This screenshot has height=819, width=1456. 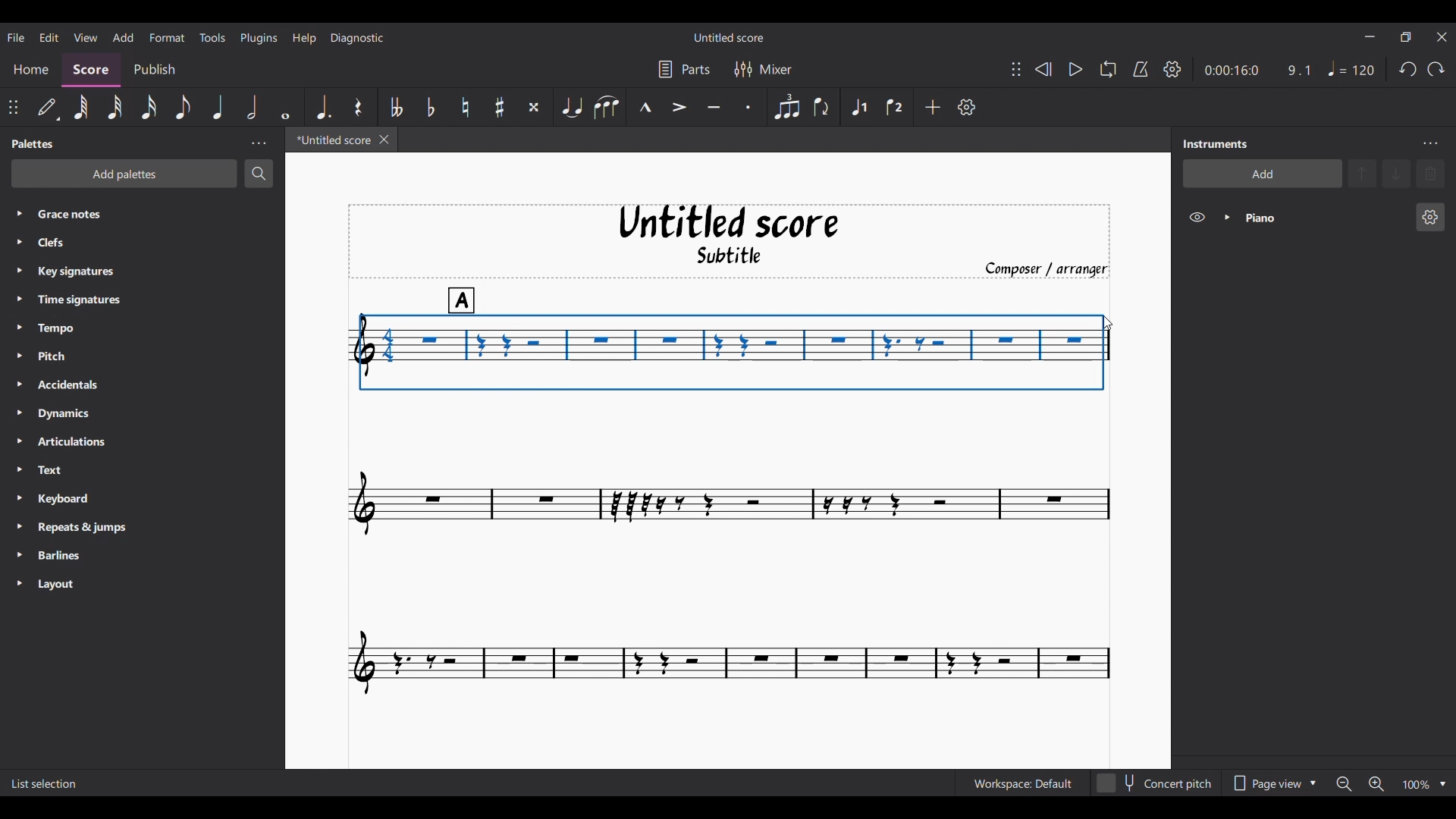 What do you see at coordinates (466, 296) in the screenshot?
I see `A` at bounding box center [466, 296].